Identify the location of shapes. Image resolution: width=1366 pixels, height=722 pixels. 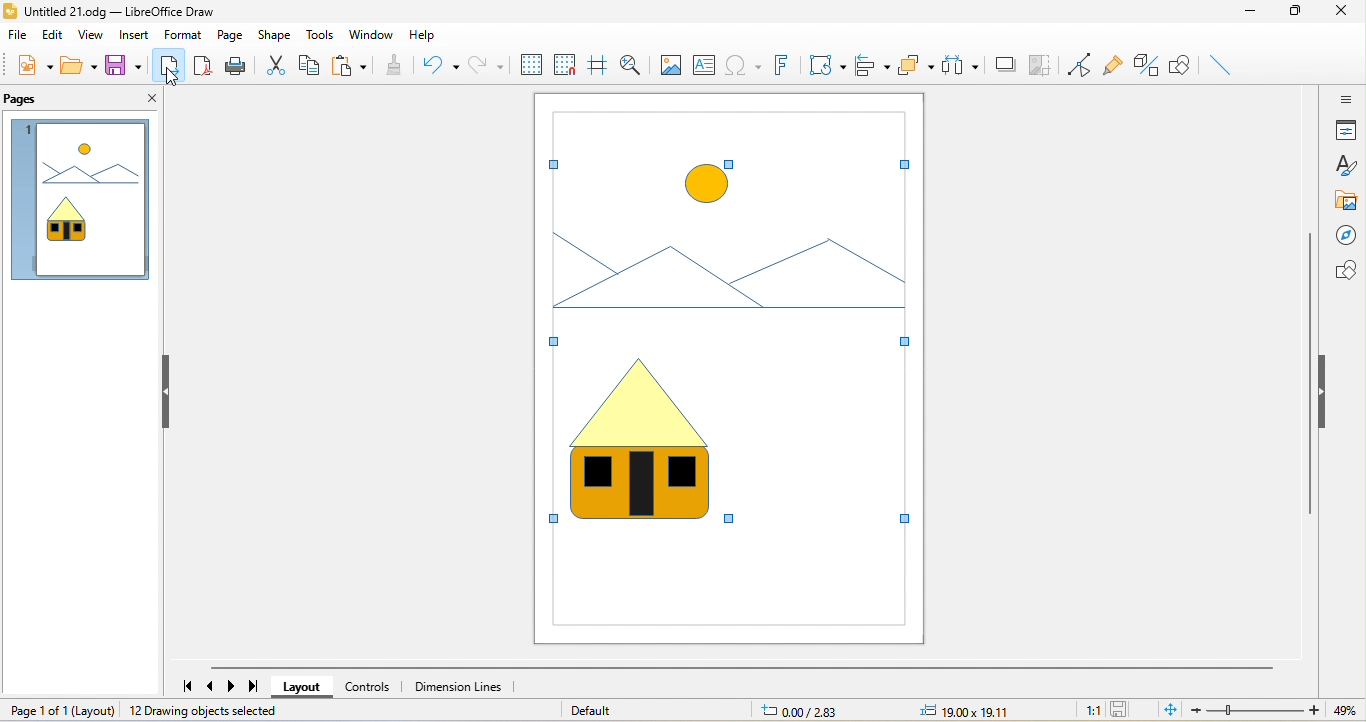
(1342, 271).